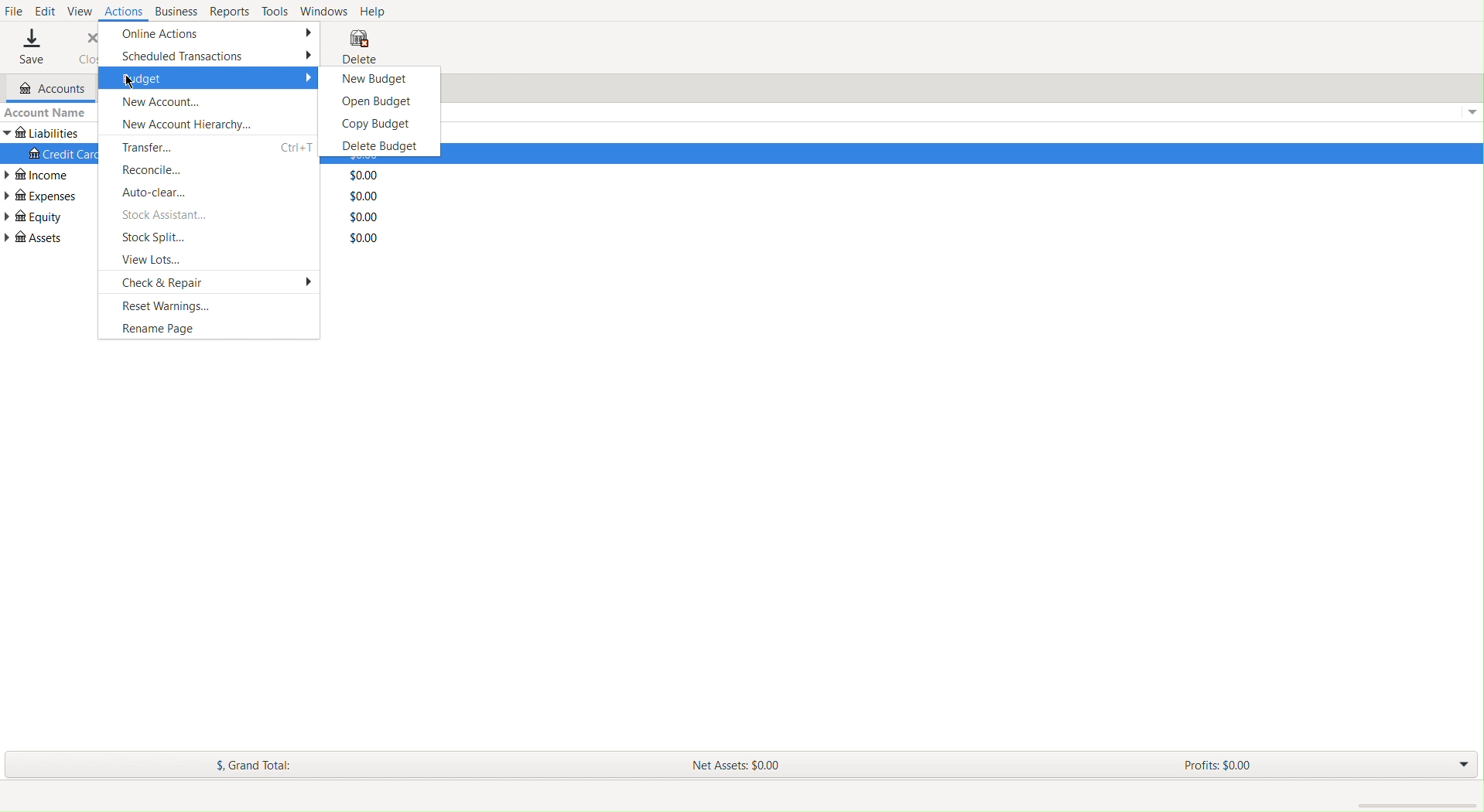  What do you see at coordinates (276, 11) in the screenshot?
I see `Tools` at bounding box center [276, 11].